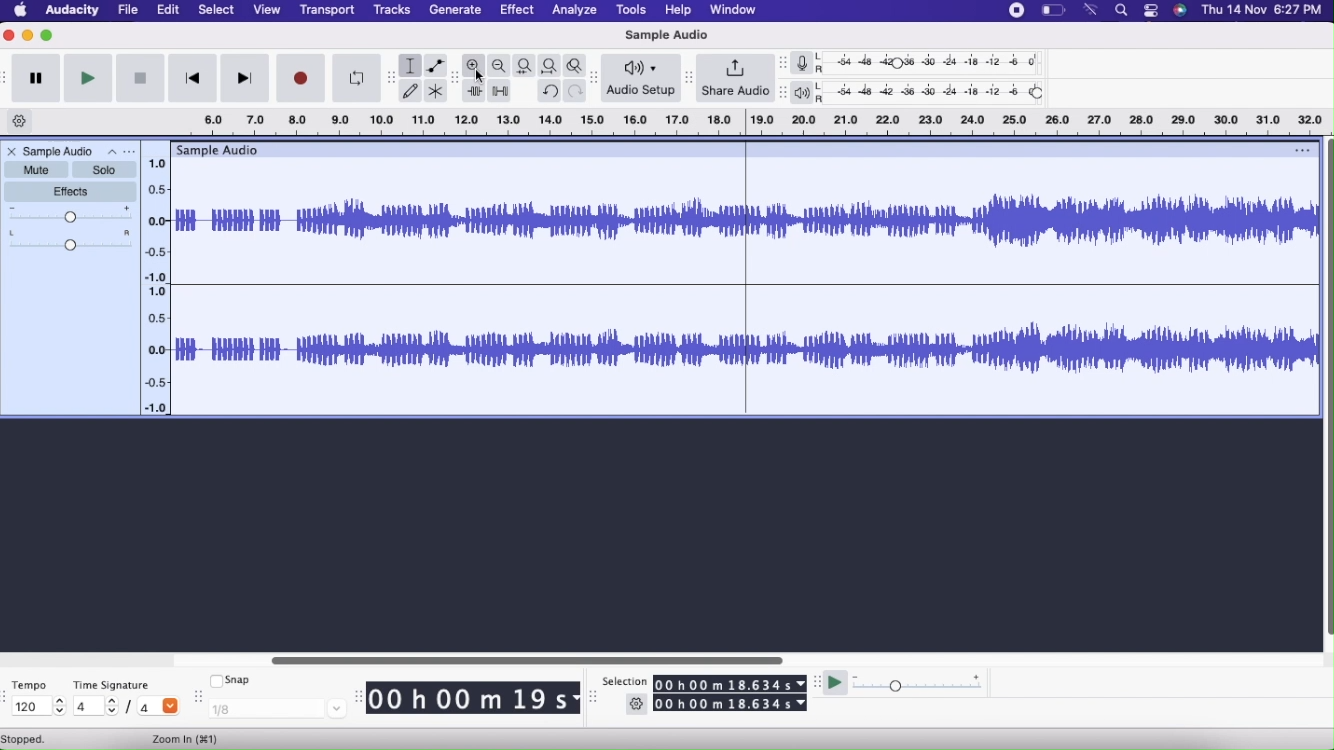  I want to click on Close, so click(9, 37).